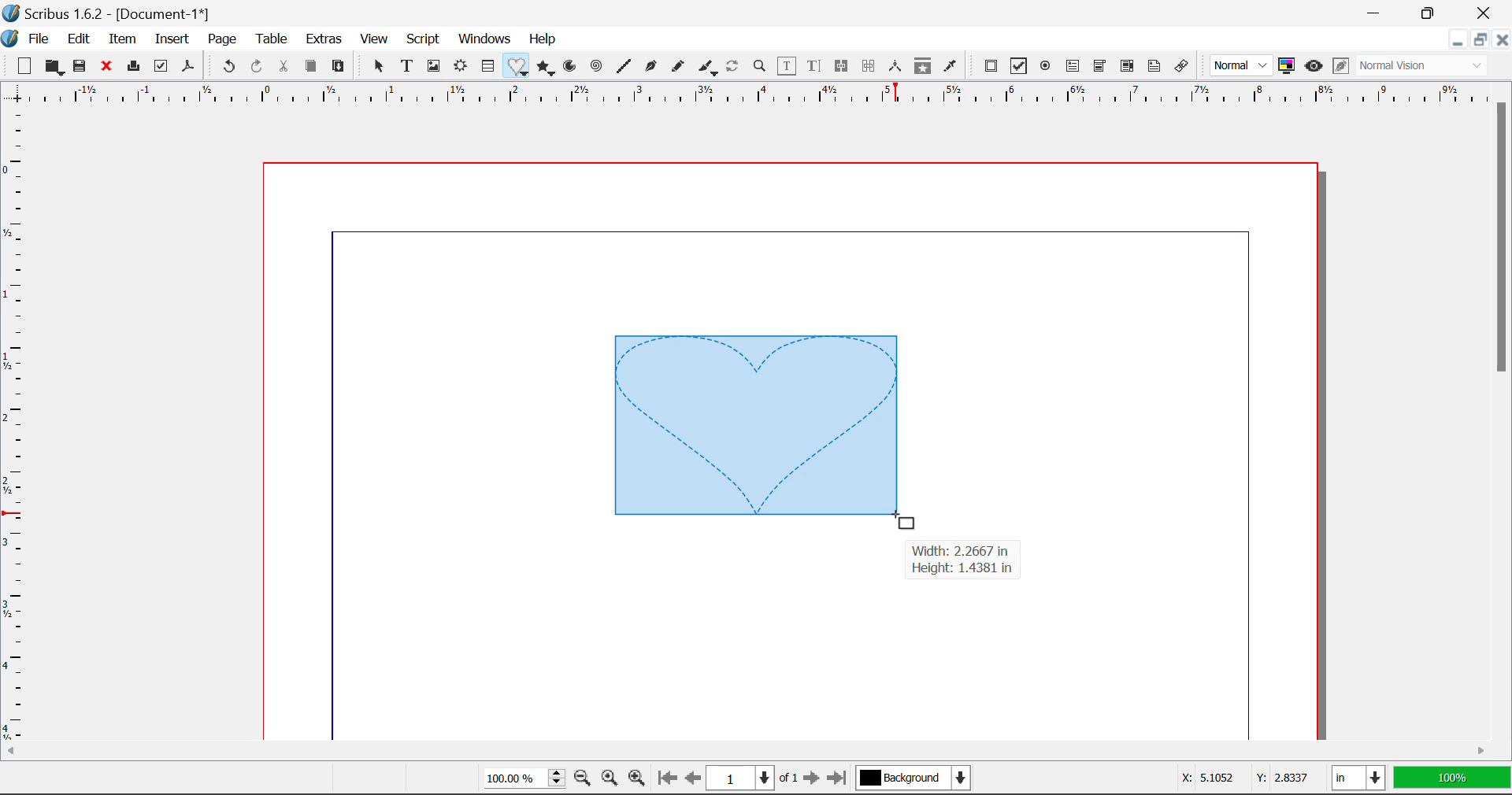 The height and width of the screenshot is (795, 1512). Describe the element at coordinates (1208, 779) in the screenshot. I see `X: 5.1052` at that location.